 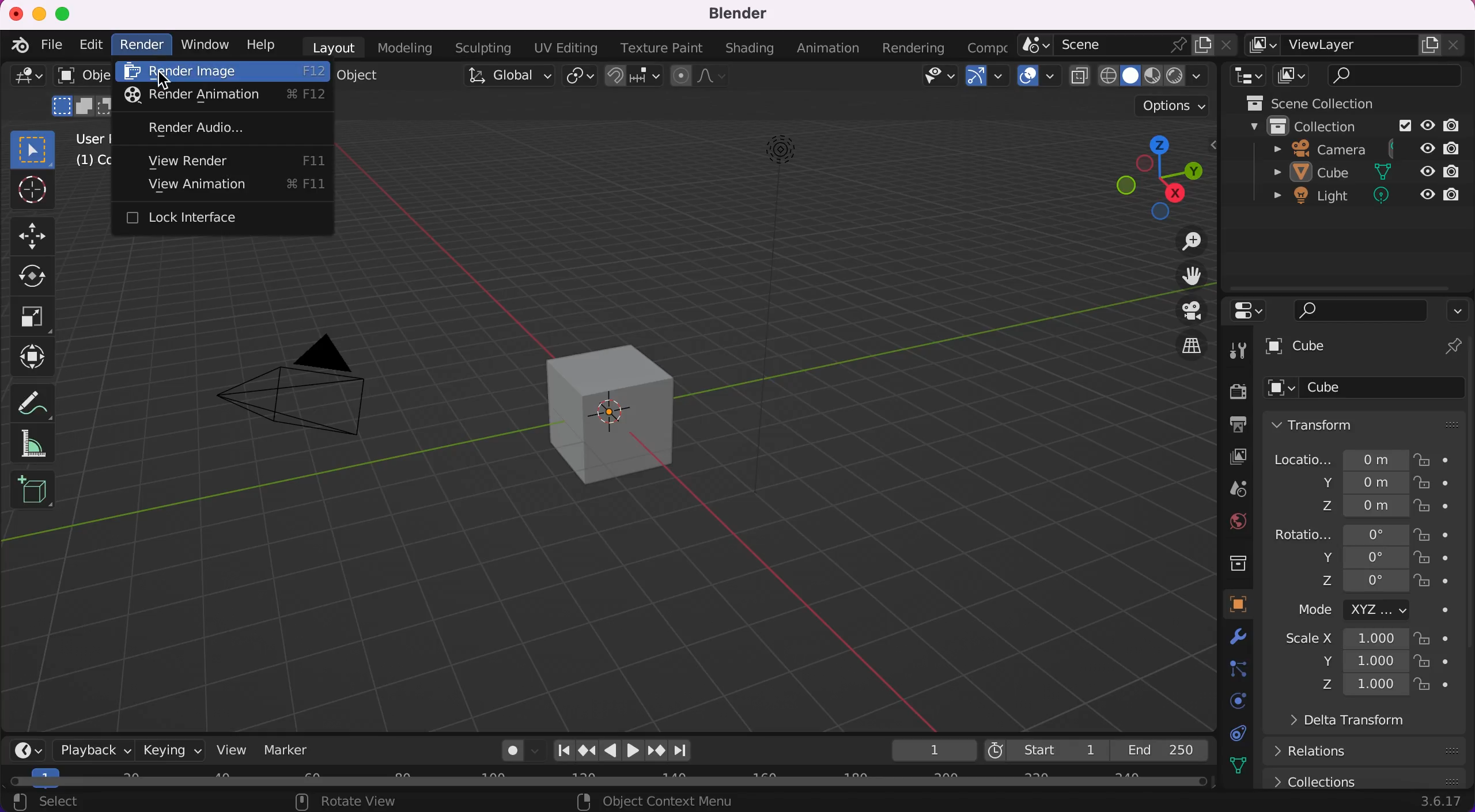 What do you see at coordinates (1458, 126) in the screenshot?
I see `disable in render` at bounding box center [1458, 126].